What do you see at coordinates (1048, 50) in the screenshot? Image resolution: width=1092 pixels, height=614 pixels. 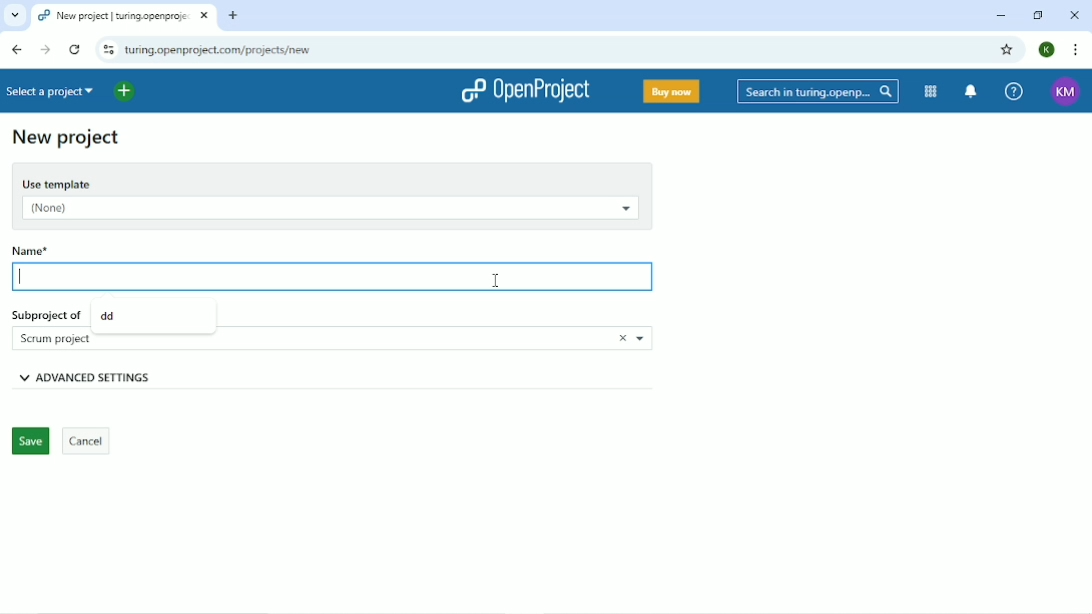 I see `K` at bounding box center [1048, 50].